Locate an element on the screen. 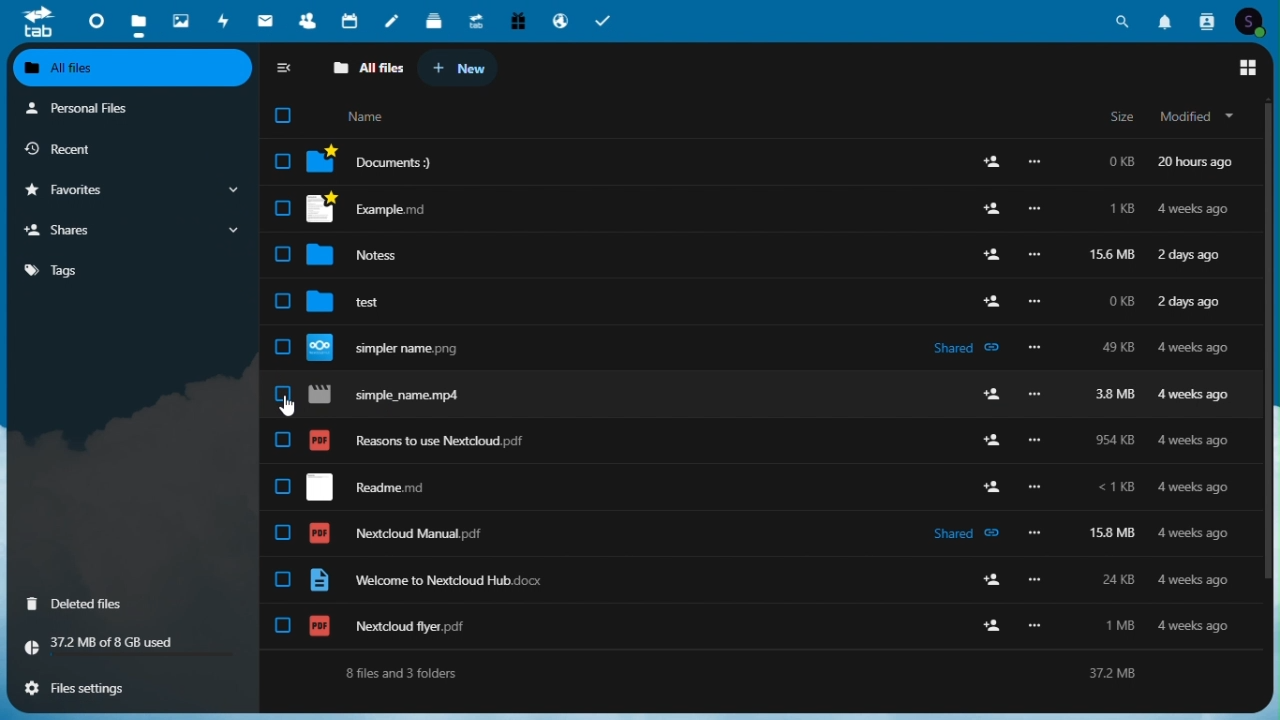 This screenshot has height=720, width=1280. Example is located at coordinates (754, 208).